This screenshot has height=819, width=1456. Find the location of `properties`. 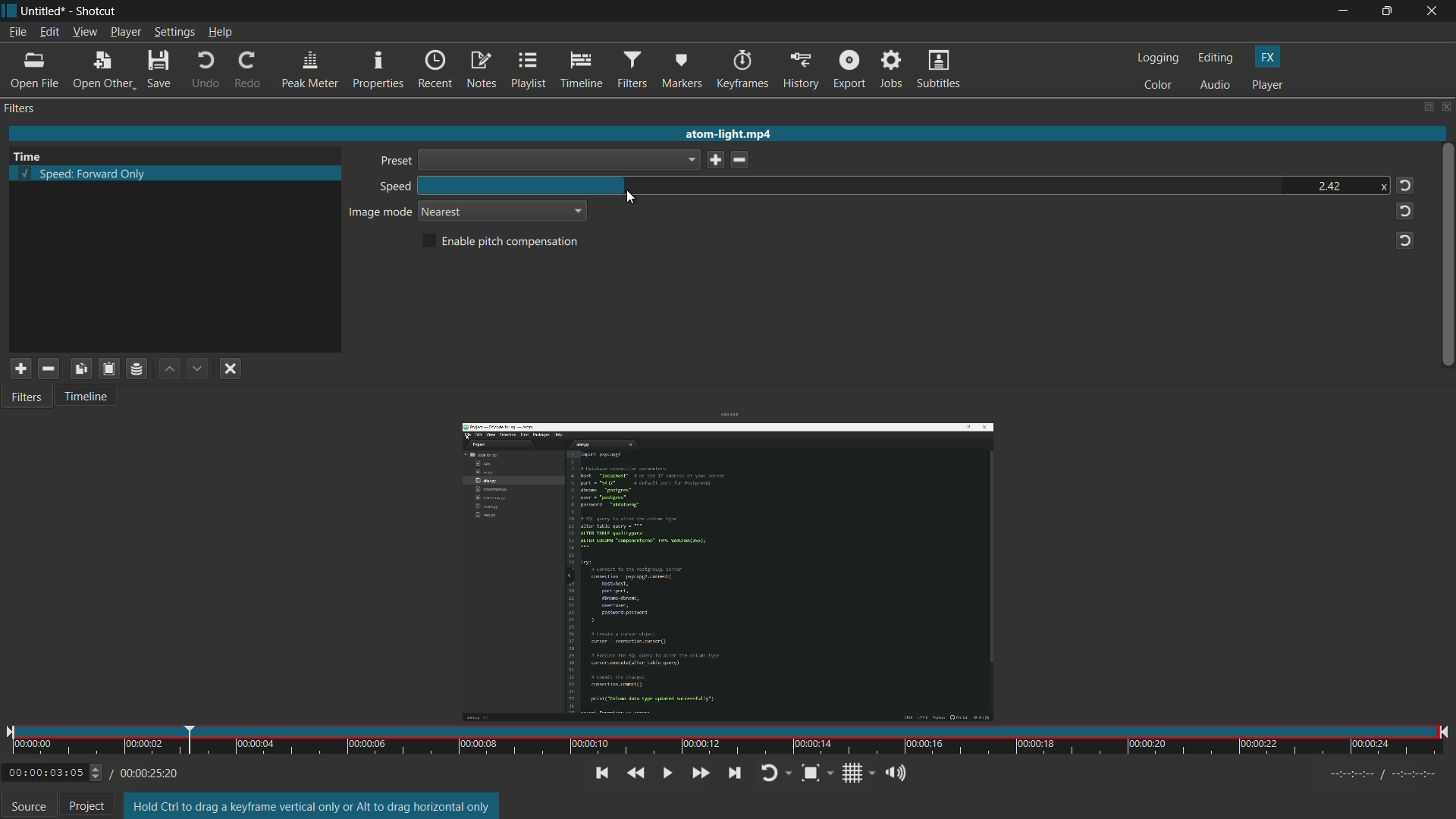

properties is located at coordinates (379, 70).